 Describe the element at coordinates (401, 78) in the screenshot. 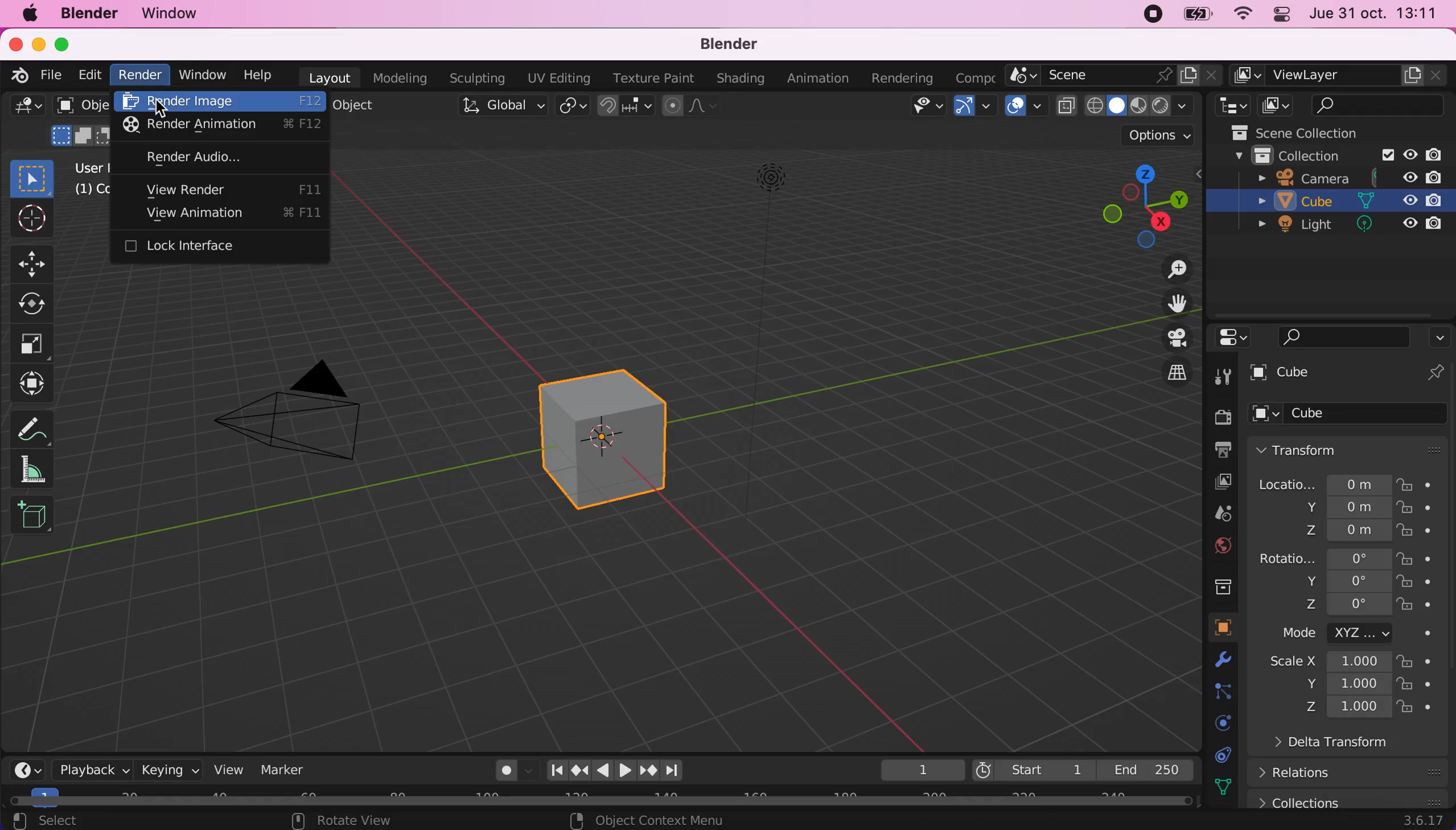

I see `modeling` at that location.